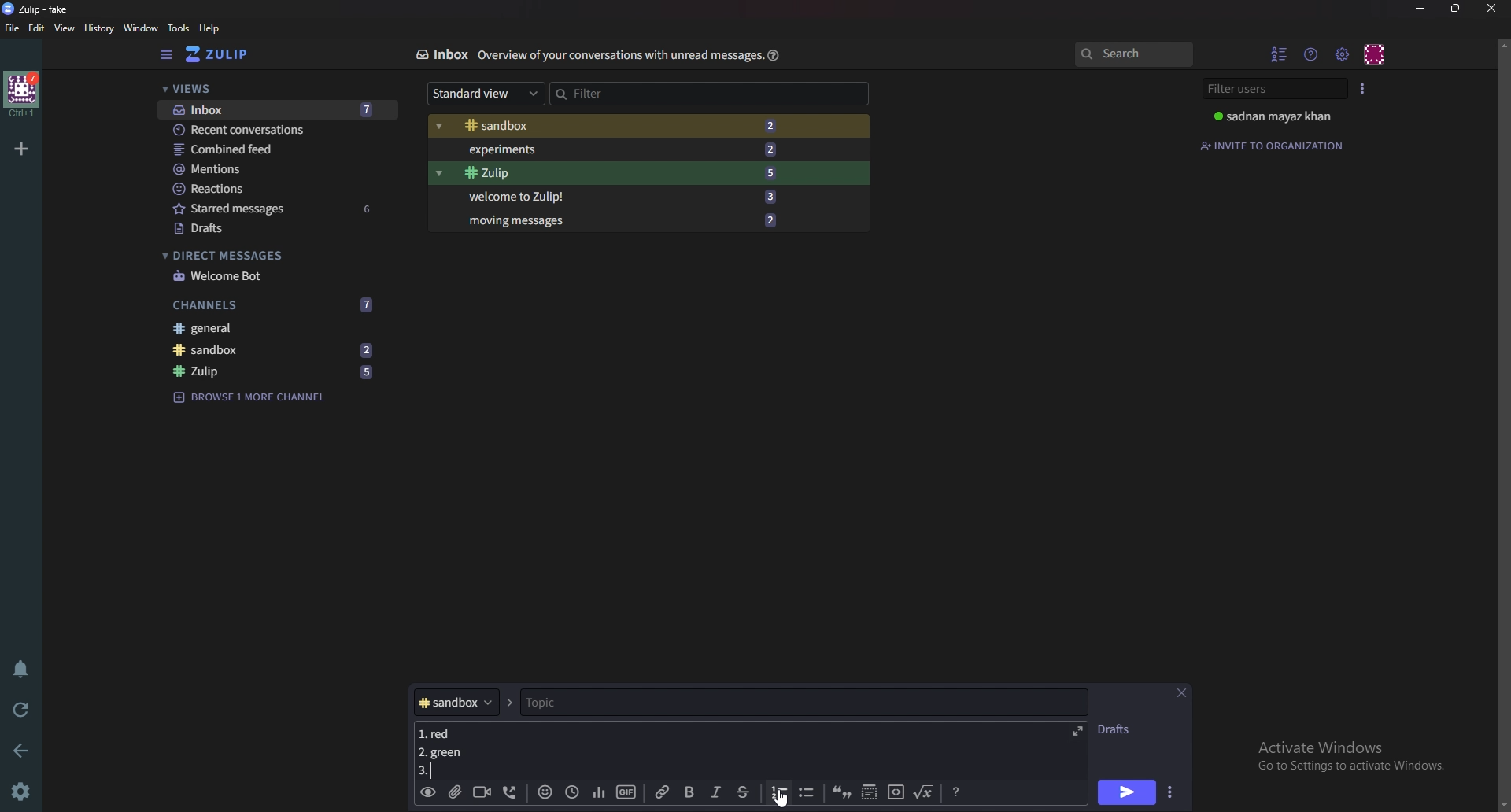 The image size is (1511, 812). Describe the element at coordinates (24, 748) in the screenshot. I see `back` at that location.